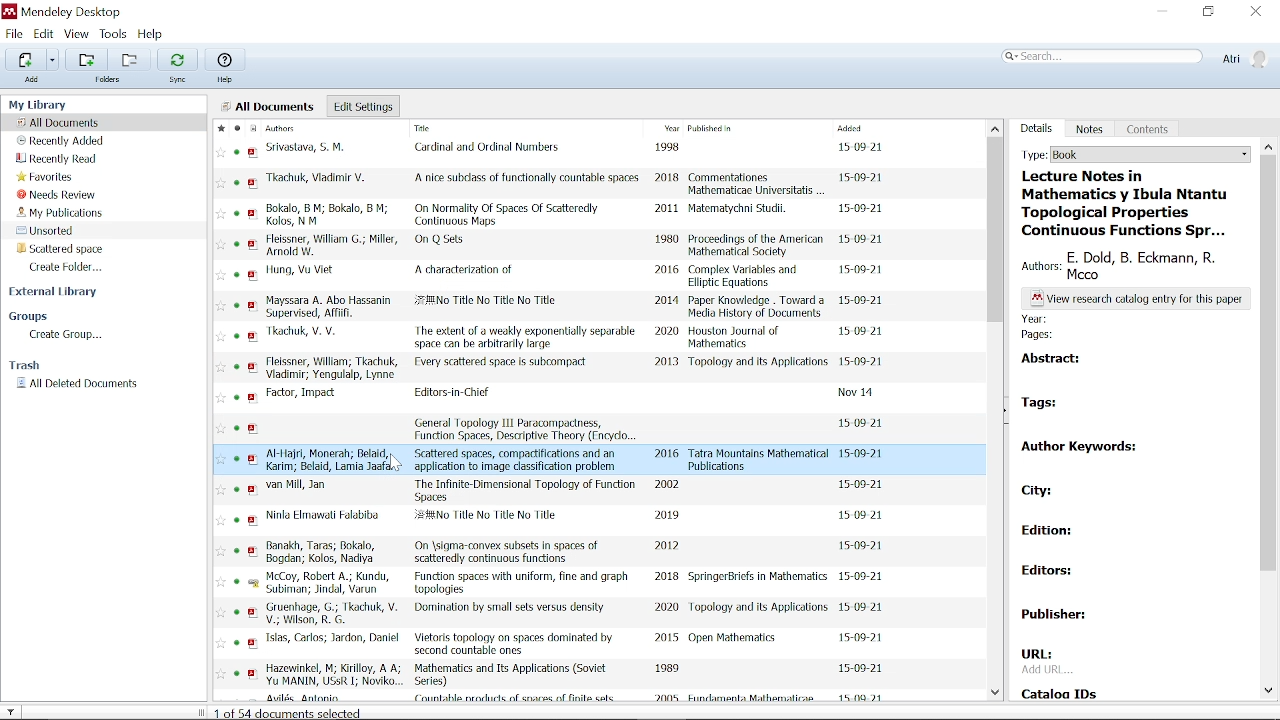 The height and width of the screenshot is (720, 1280). Describe the element at coordinates (86, 59) in the screenshot. I see `Add folder` at that location.